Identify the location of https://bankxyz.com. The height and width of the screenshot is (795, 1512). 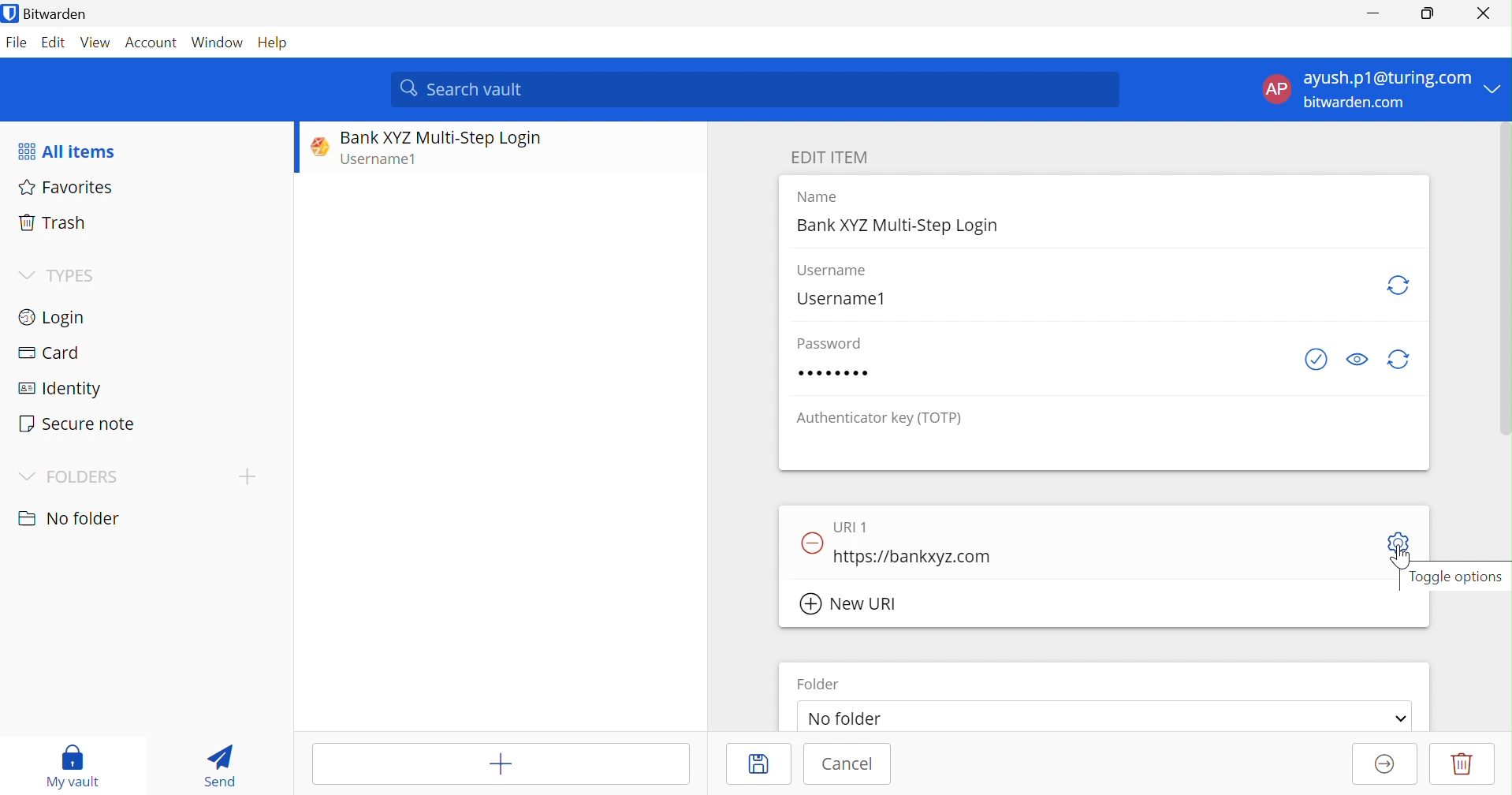
(916, 557).